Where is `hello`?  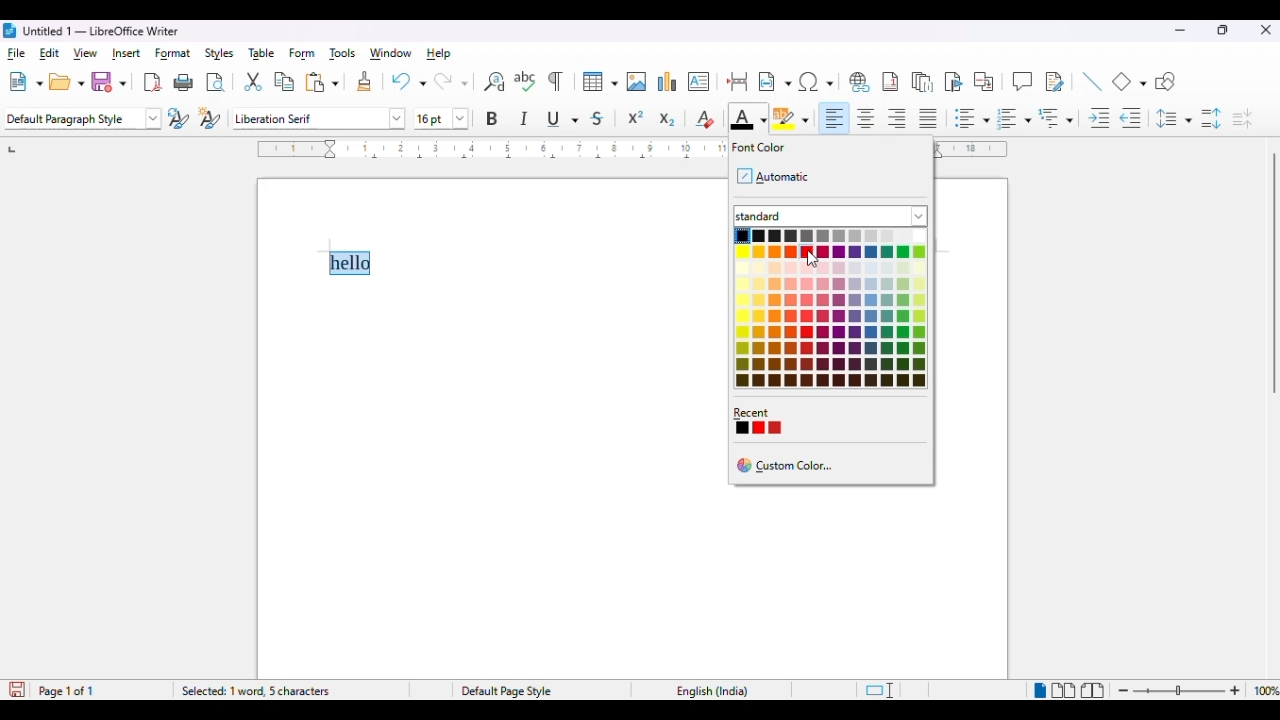 hello is located at coordinates (348, 264).